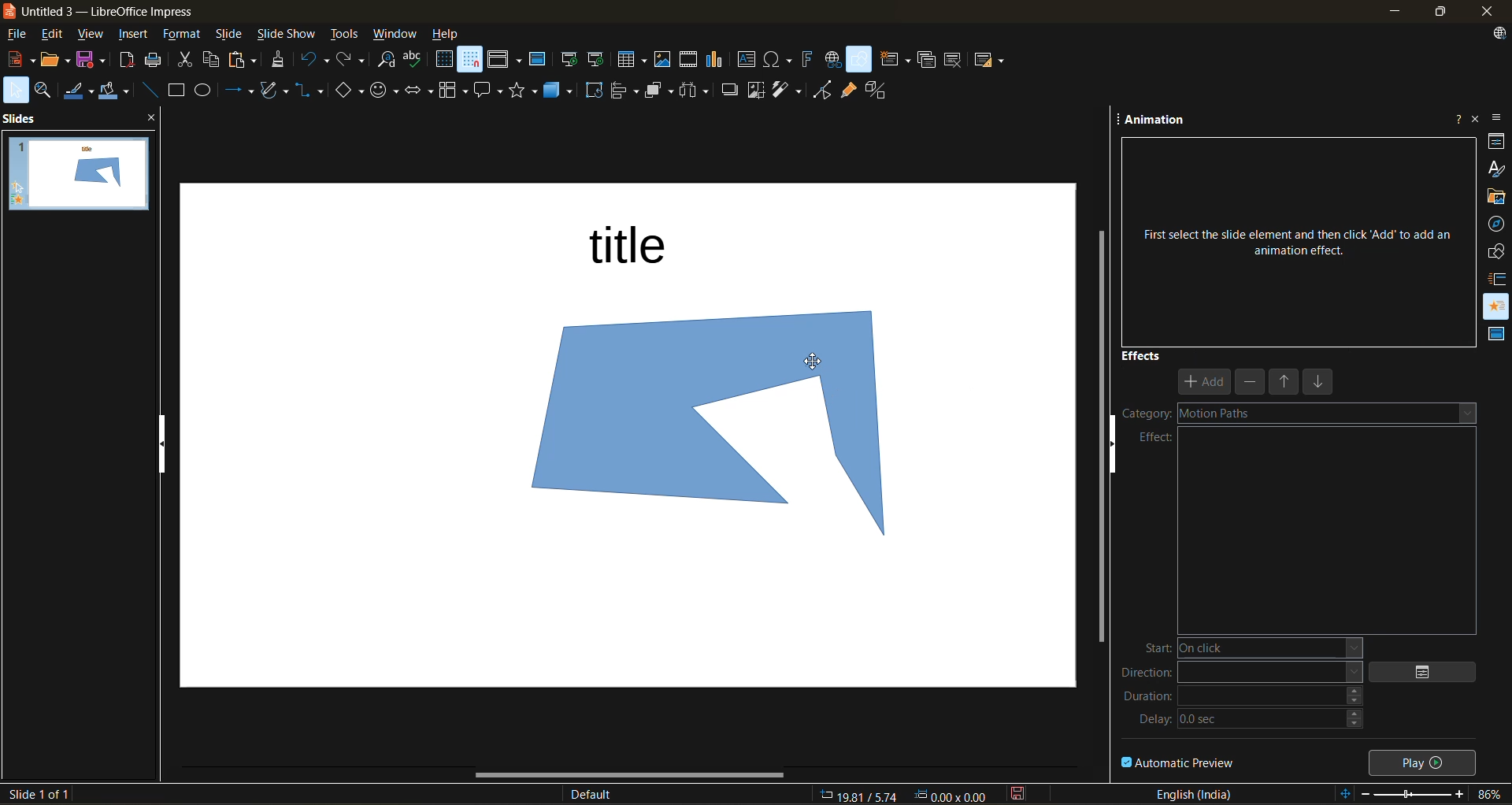  Describe the element at coordinates (1495, 169) in the screenshot. I see `styles` at that location.